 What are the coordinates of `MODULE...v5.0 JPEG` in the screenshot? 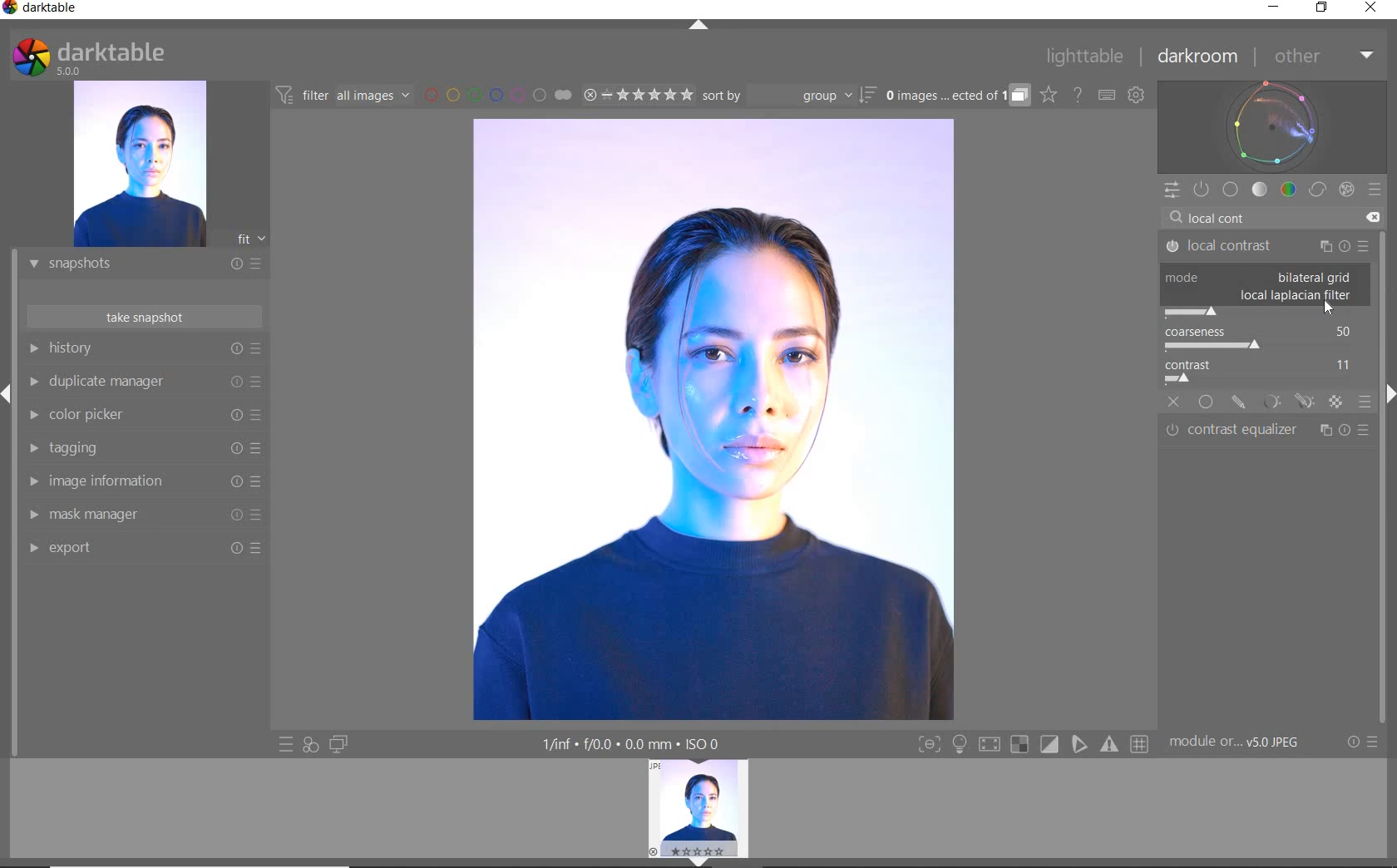 It's located at (1246, 742).